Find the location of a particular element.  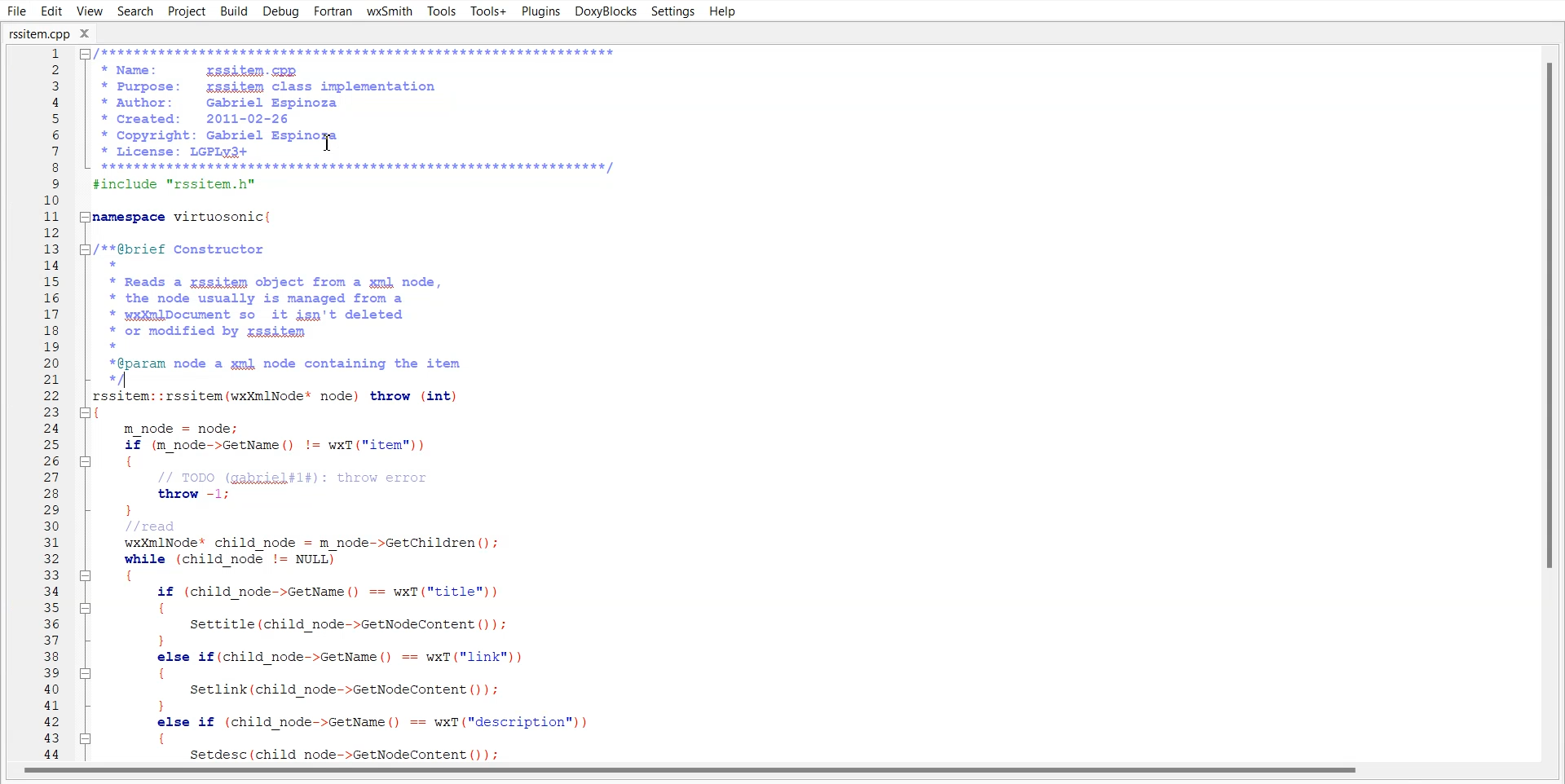

Collapse is located at coordinates (86, 673).